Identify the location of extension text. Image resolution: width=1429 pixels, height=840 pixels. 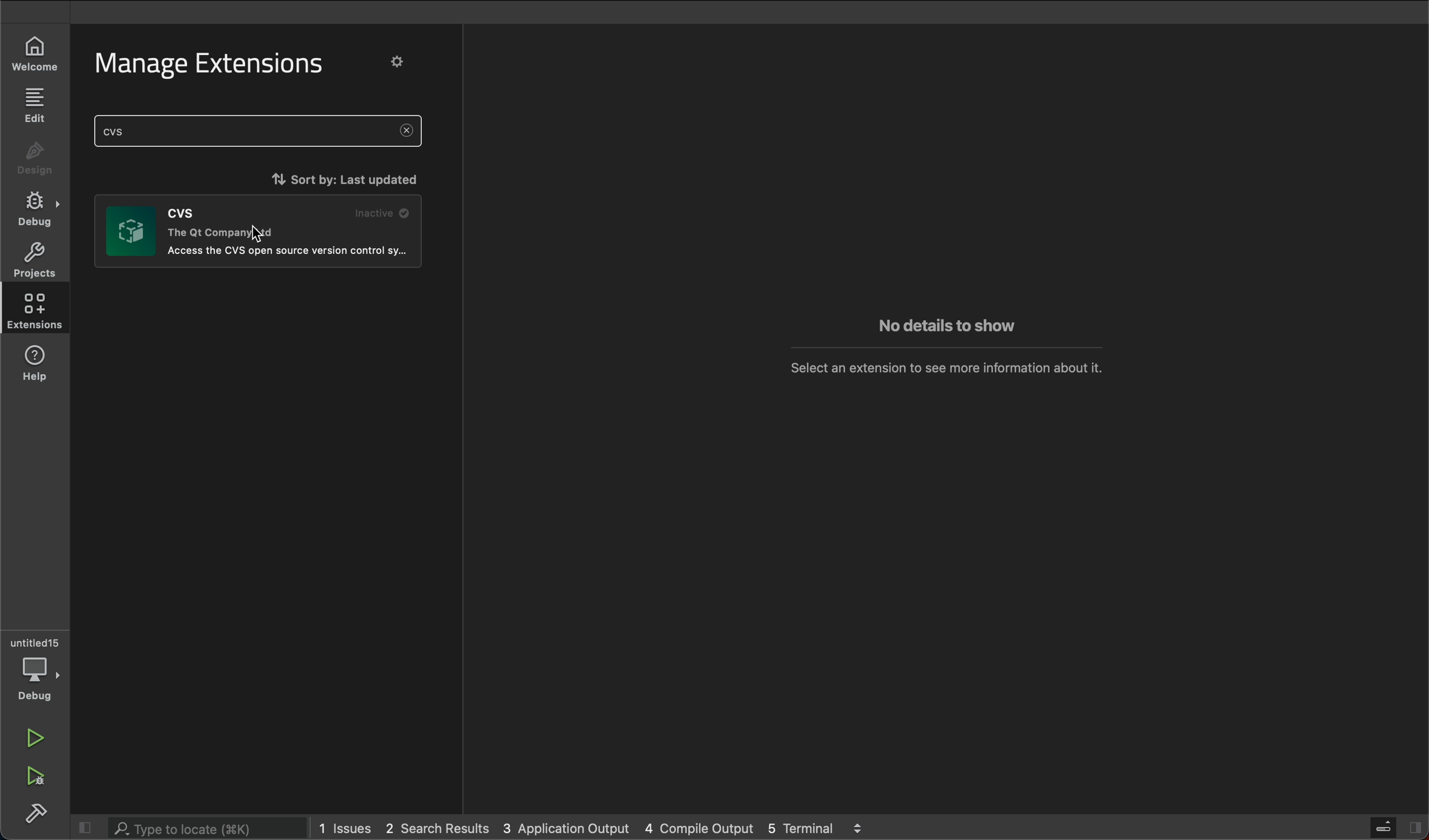
(220, 221).